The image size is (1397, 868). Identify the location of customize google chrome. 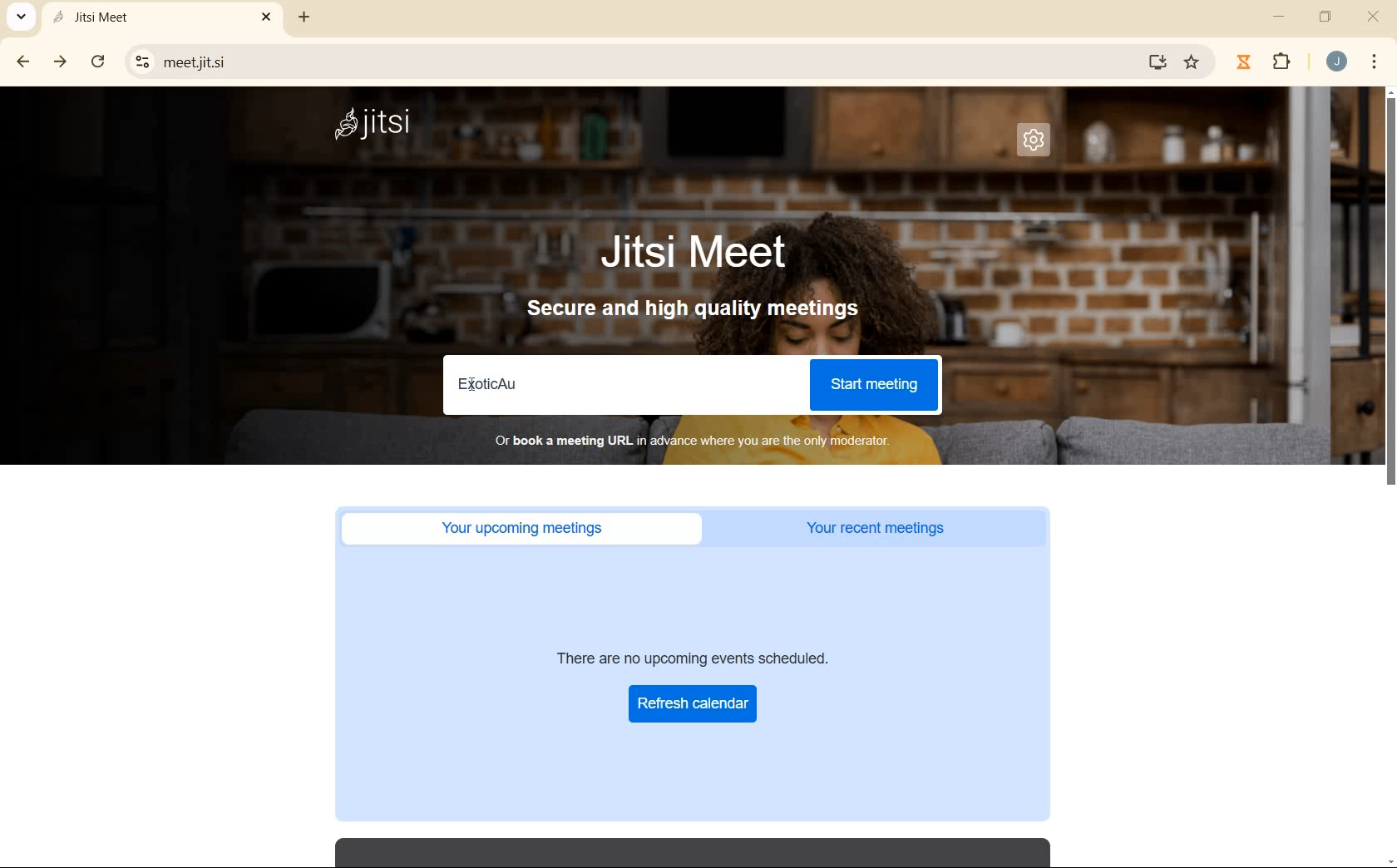
(1375, 62).